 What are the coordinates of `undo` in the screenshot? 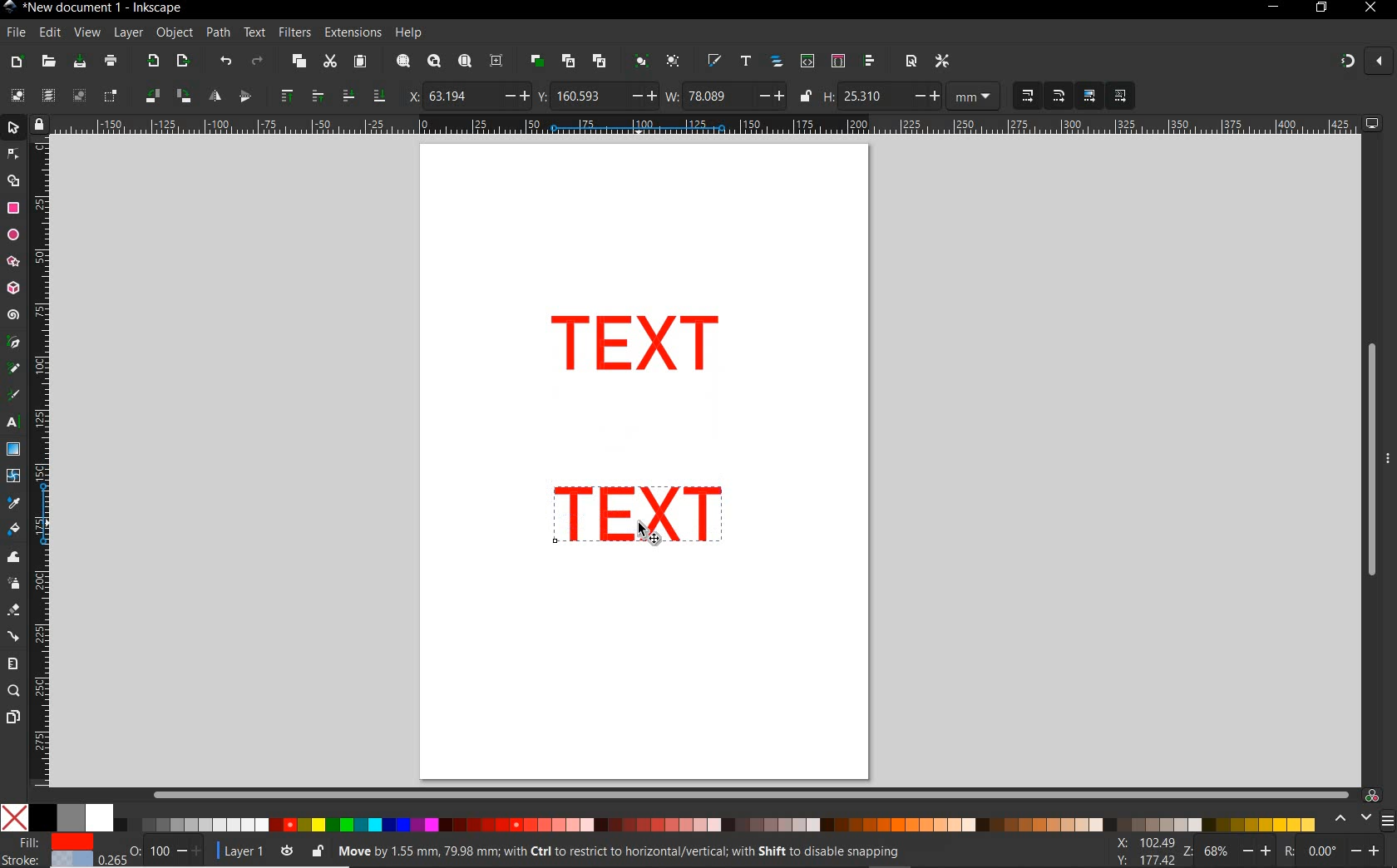 It's located at (225, 62).